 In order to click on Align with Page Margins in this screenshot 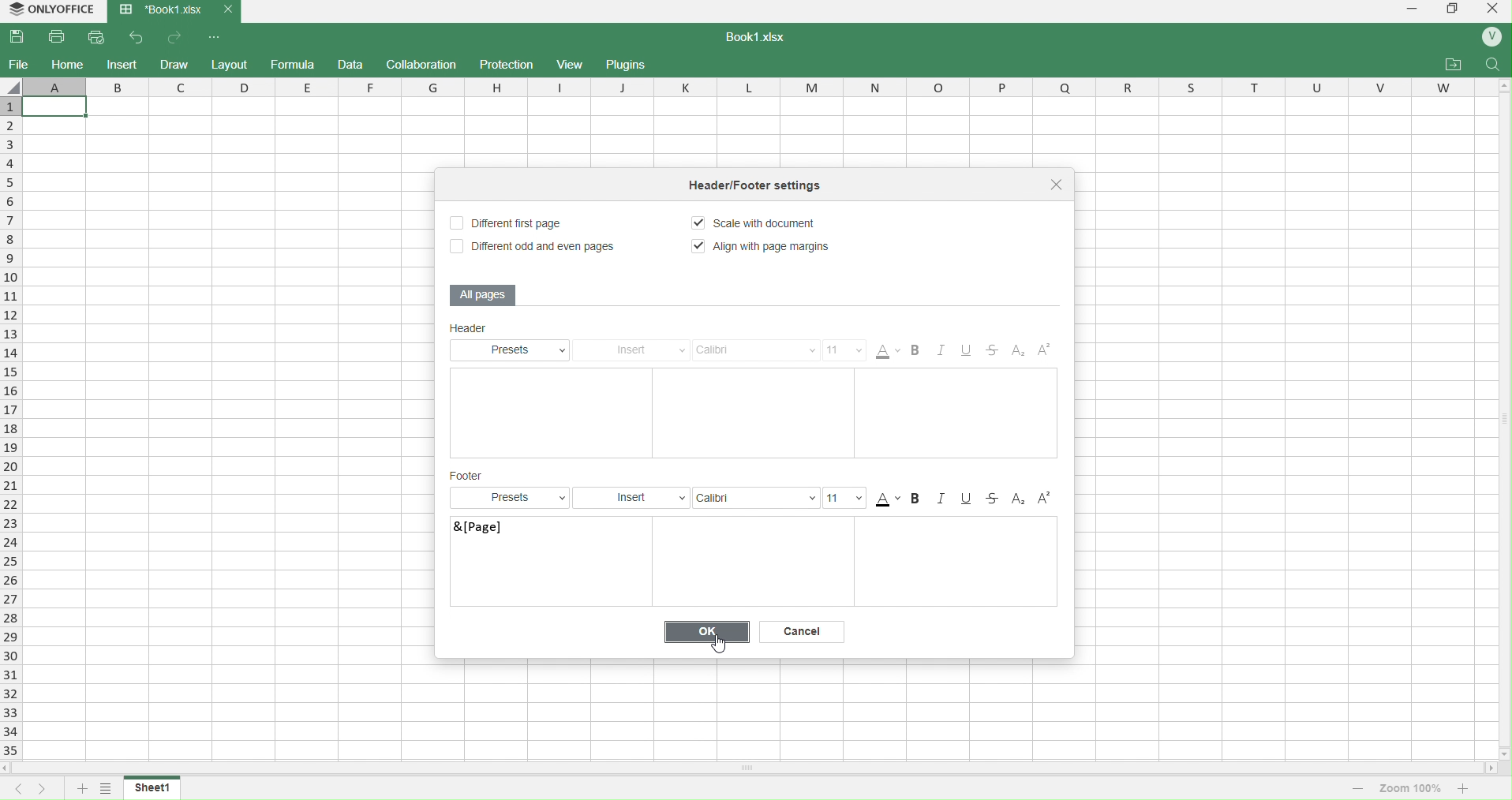, I will do `click(764, 247)`.